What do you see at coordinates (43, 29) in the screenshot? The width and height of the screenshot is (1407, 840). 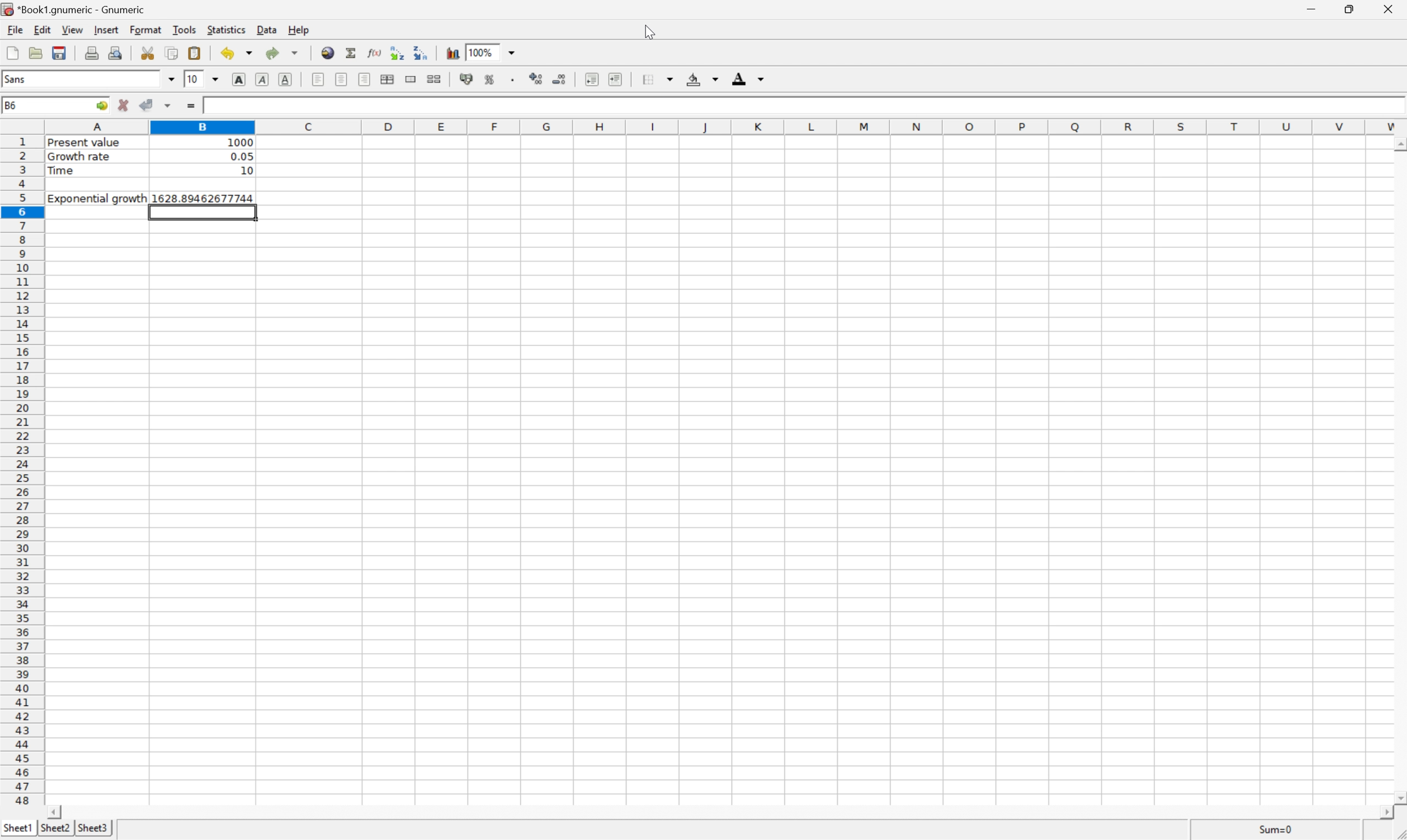 I see `Edit` at bounding box center [43, 29].